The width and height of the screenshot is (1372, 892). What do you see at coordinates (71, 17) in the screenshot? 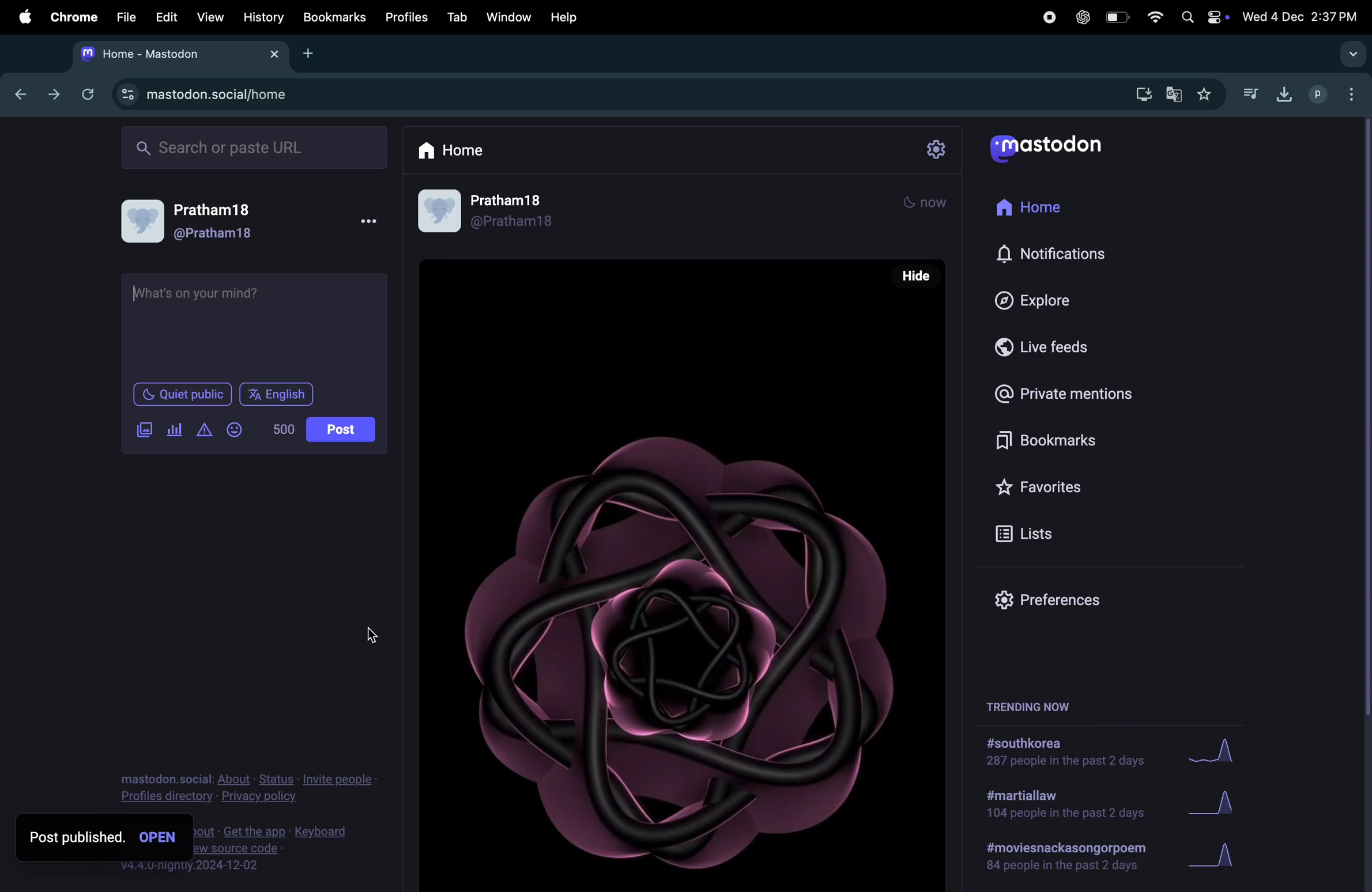
I see `chrome` at bounding box center [71, 17].